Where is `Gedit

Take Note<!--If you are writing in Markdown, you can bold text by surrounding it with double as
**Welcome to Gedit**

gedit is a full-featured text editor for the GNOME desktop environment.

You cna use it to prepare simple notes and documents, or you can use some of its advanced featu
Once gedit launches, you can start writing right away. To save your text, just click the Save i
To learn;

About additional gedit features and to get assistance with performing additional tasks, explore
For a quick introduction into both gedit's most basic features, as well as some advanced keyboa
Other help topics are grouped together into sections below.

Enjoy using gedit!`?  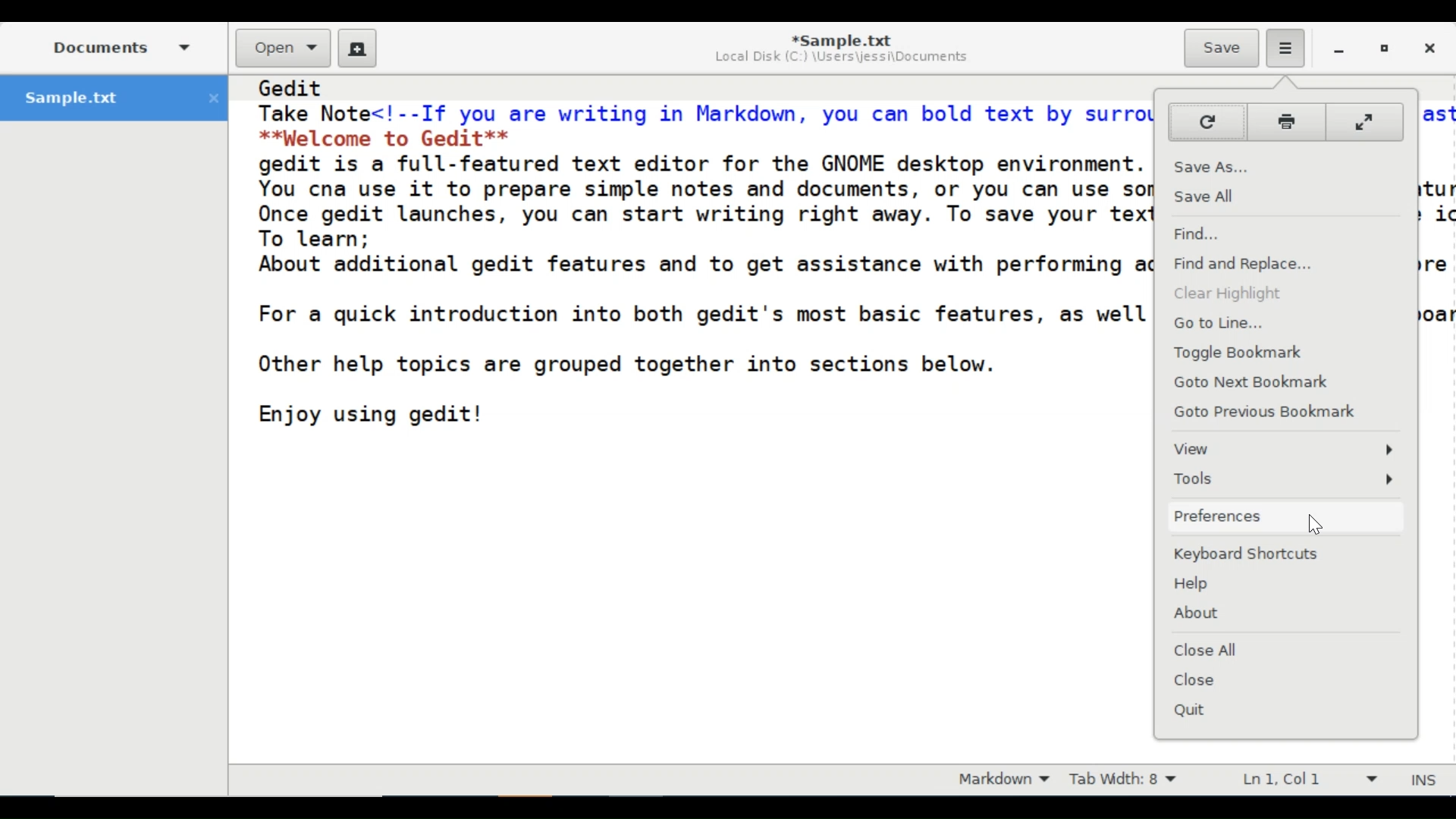
Gedit

Take Note<!--If you are writing in Markdown, you can bold text by surrounding it with double as
**Welcome to Gedit**

gedit is a full-featured text editor for the GNOME desktop environment.

You cna use it to prepare simple notes and documents, or you can use some of its advanced featu
Once gedit launches, you can start writing right away. To save your text, just click the Save i
To learn;

About additional gedit features and to get assistance with performing additional tasks, explore
For a quick introduction into both gedit's most basic features, as well as some advanced keyboa
Other help topics are grouped together into sections below.

Enjoy using gedit! is located at coordinates (693, 271).